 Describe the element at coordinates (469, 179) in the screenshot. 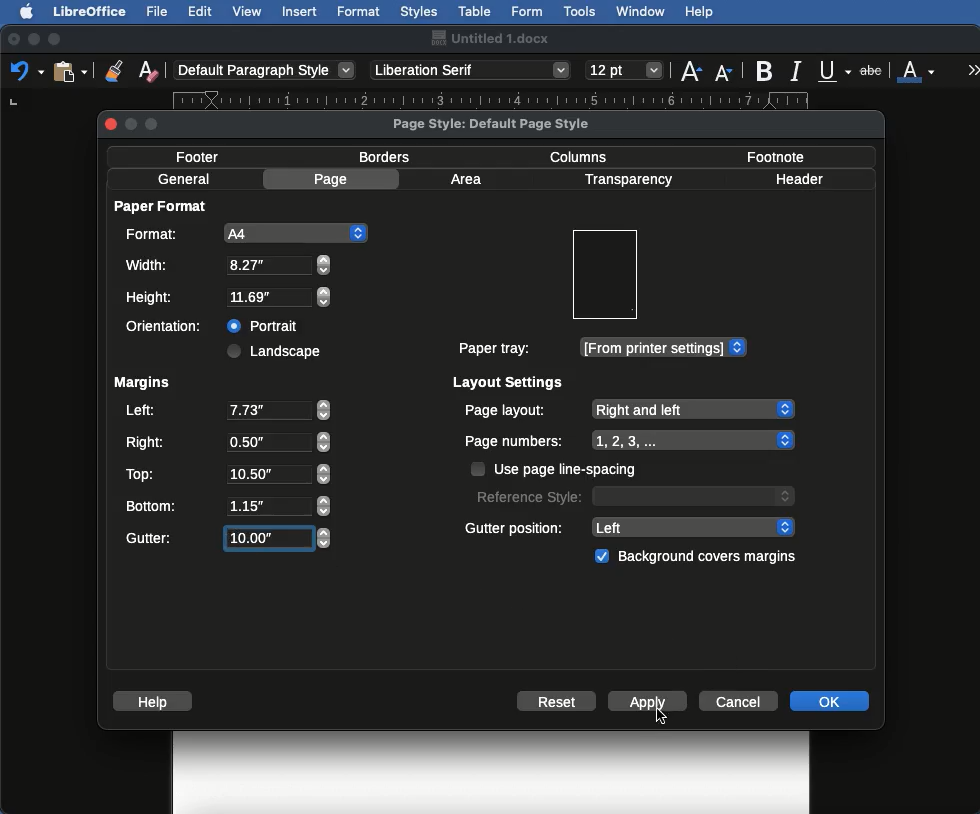

I see `Area` at that location.